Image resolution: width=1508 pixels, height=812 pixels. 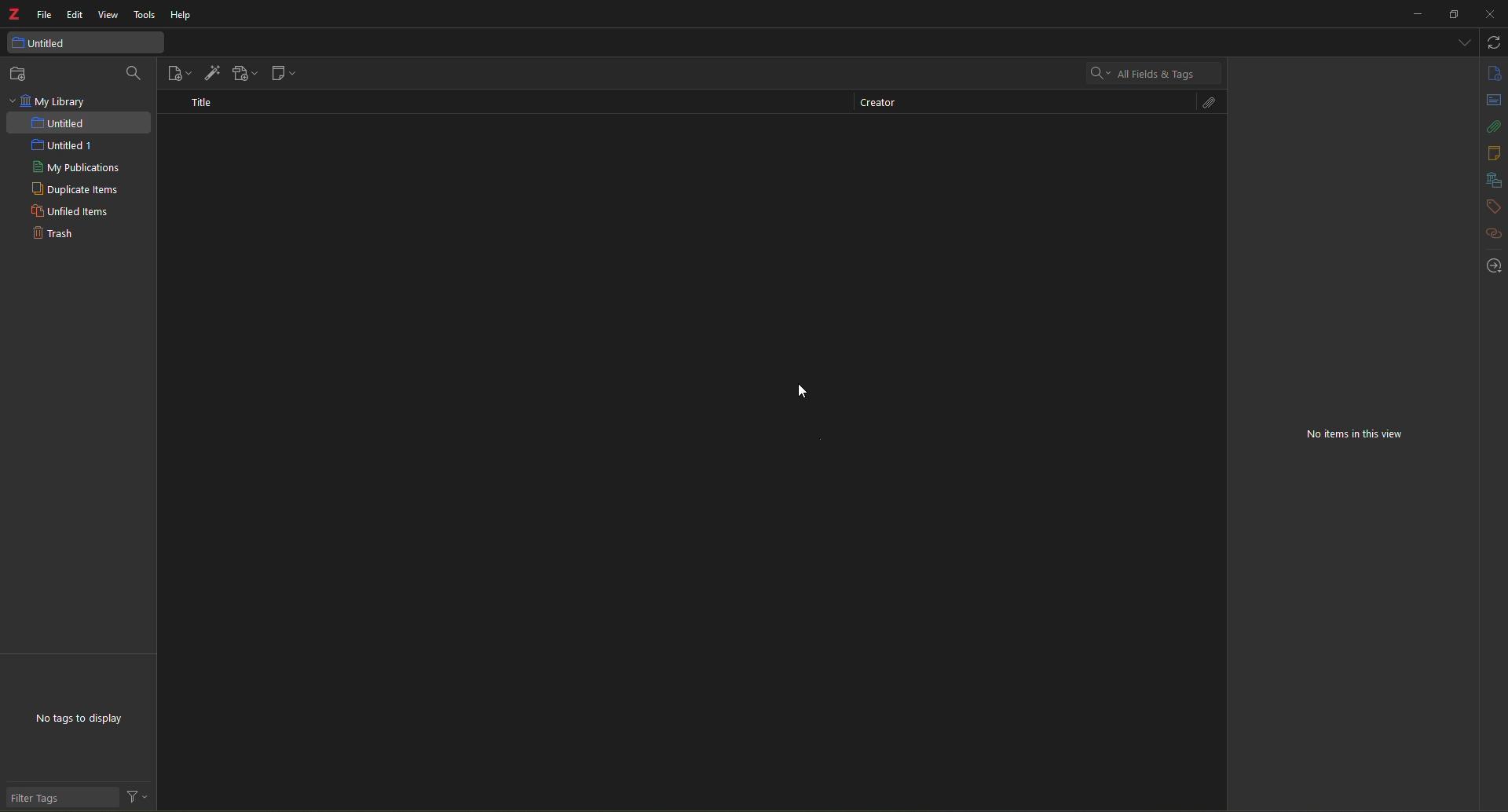 What do you see at coordinates (133, 71) in the screenshot?
I see `search` at bounding box center [133, 71].